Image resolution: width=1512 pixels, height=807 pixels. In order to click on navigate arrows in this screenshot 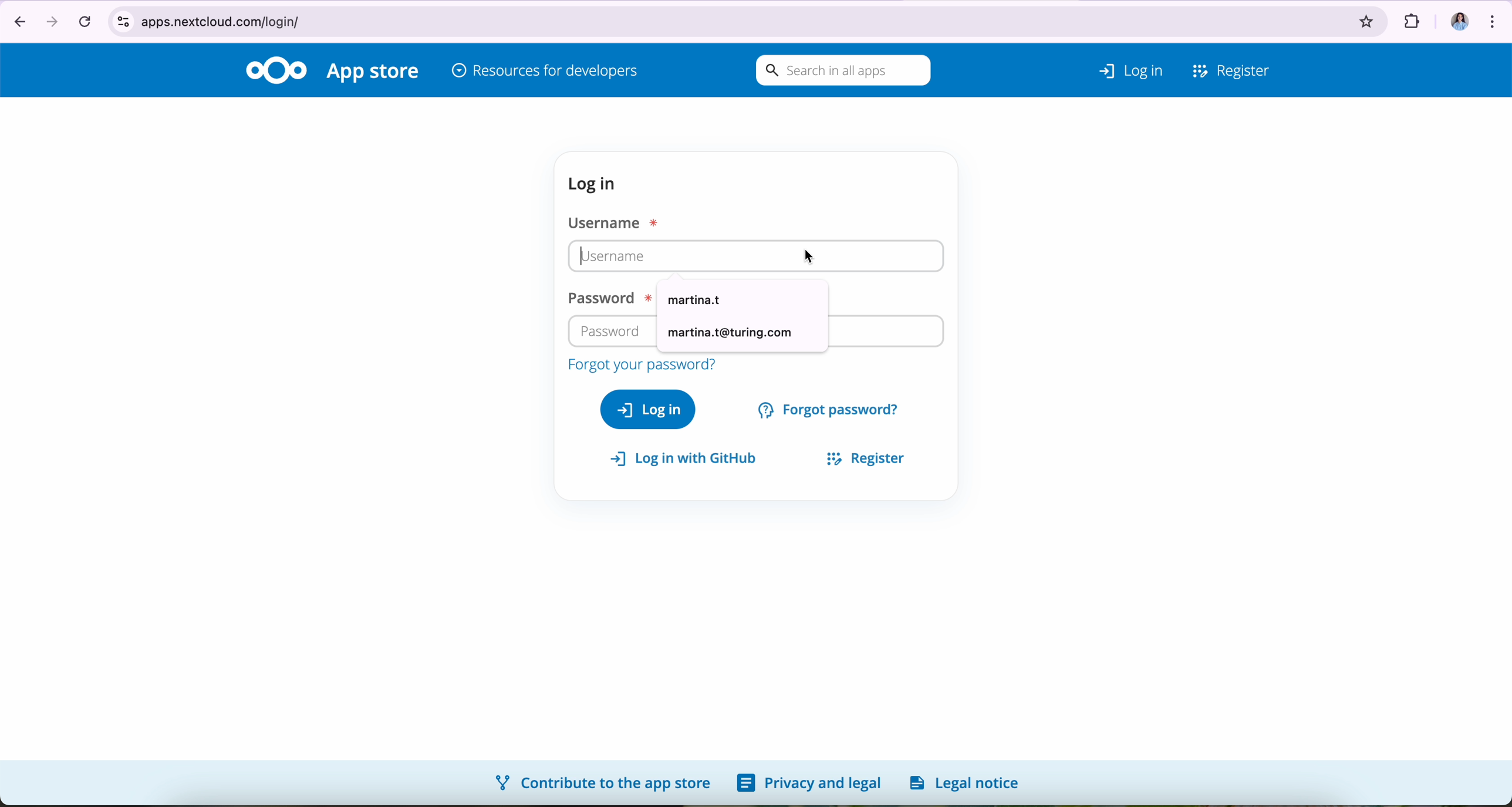, I will do `click(32, 20)`.